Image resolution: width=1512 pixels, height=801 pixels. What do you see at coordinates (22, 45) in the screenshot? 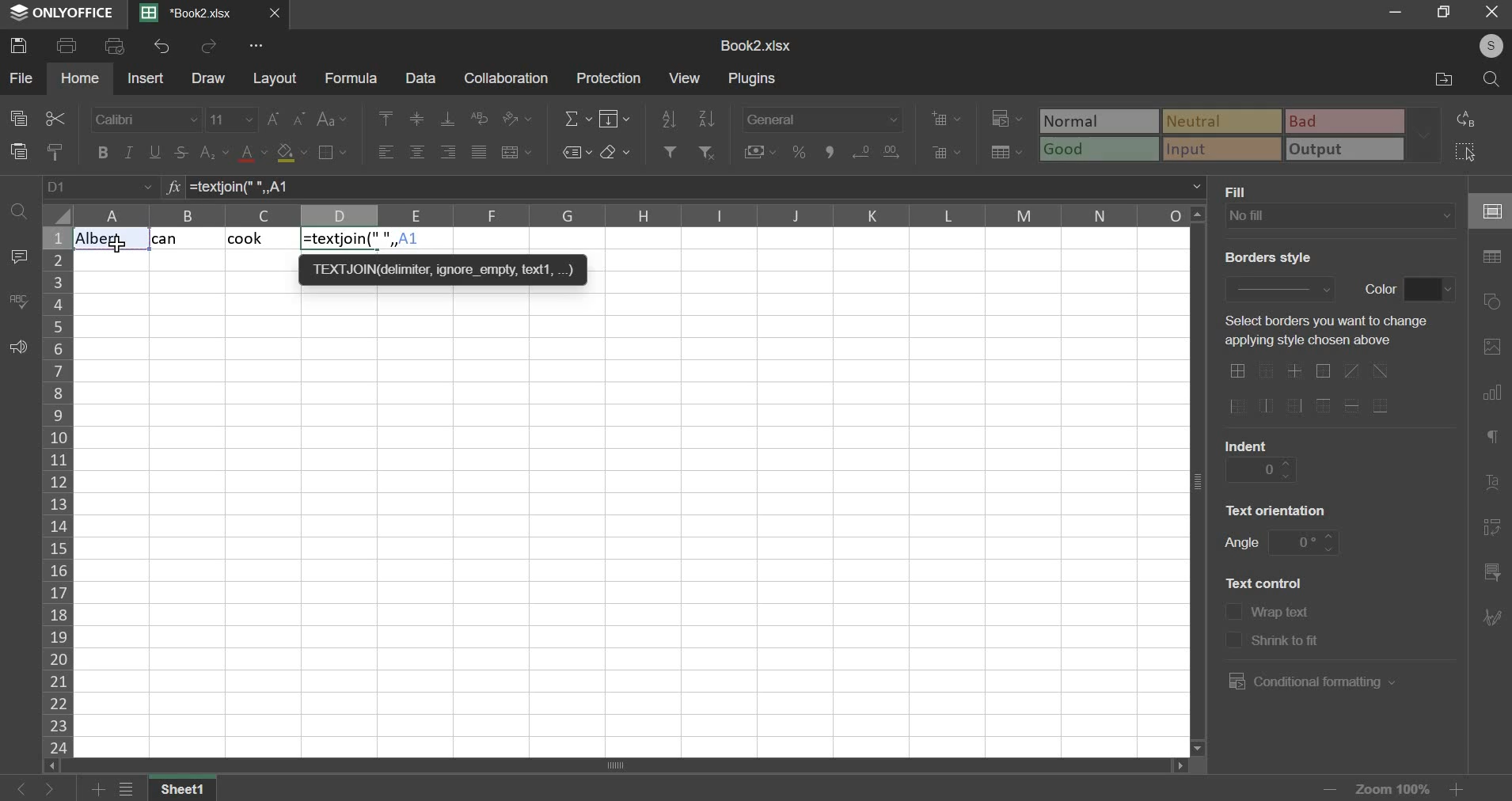
I see `save` at bounding box center [22, 45].